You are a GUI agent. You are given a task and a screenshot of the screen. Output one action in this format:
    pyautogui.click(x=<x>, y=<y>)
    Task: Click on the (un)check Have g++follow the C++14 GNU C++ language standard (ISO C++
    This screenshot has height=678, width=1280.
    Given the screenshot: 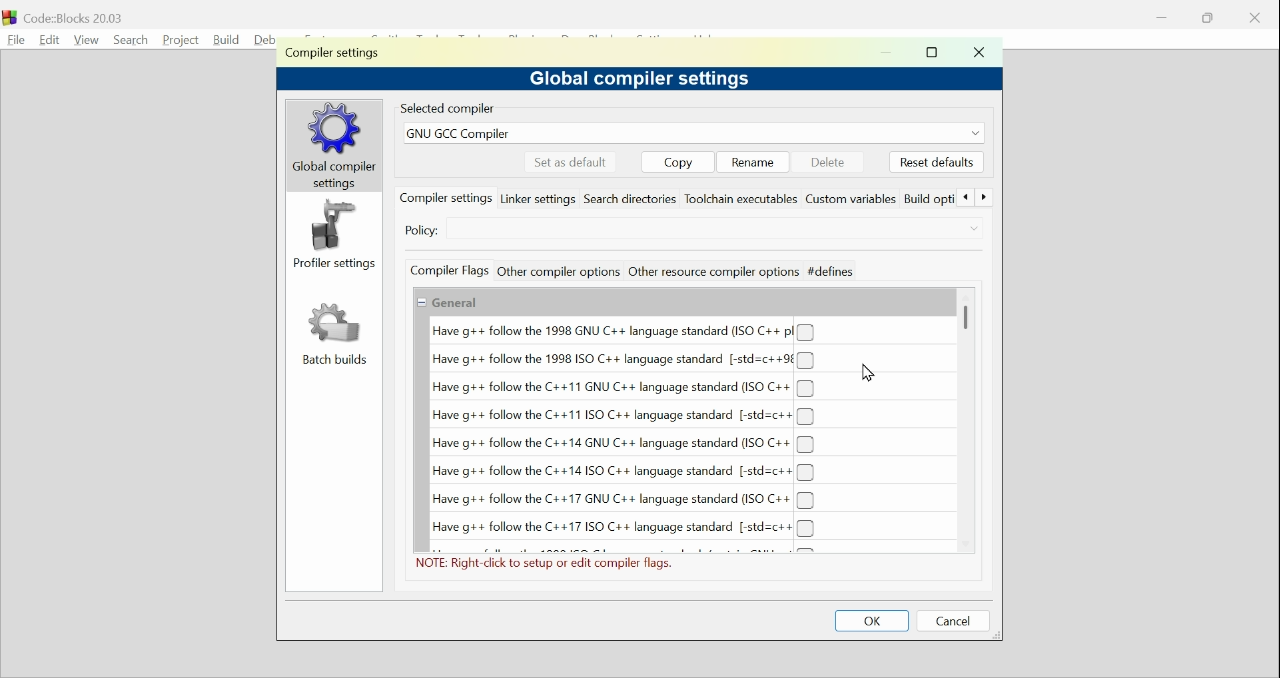 What is the action you would take?
    pyautogui.click(x=622, y=444)
    